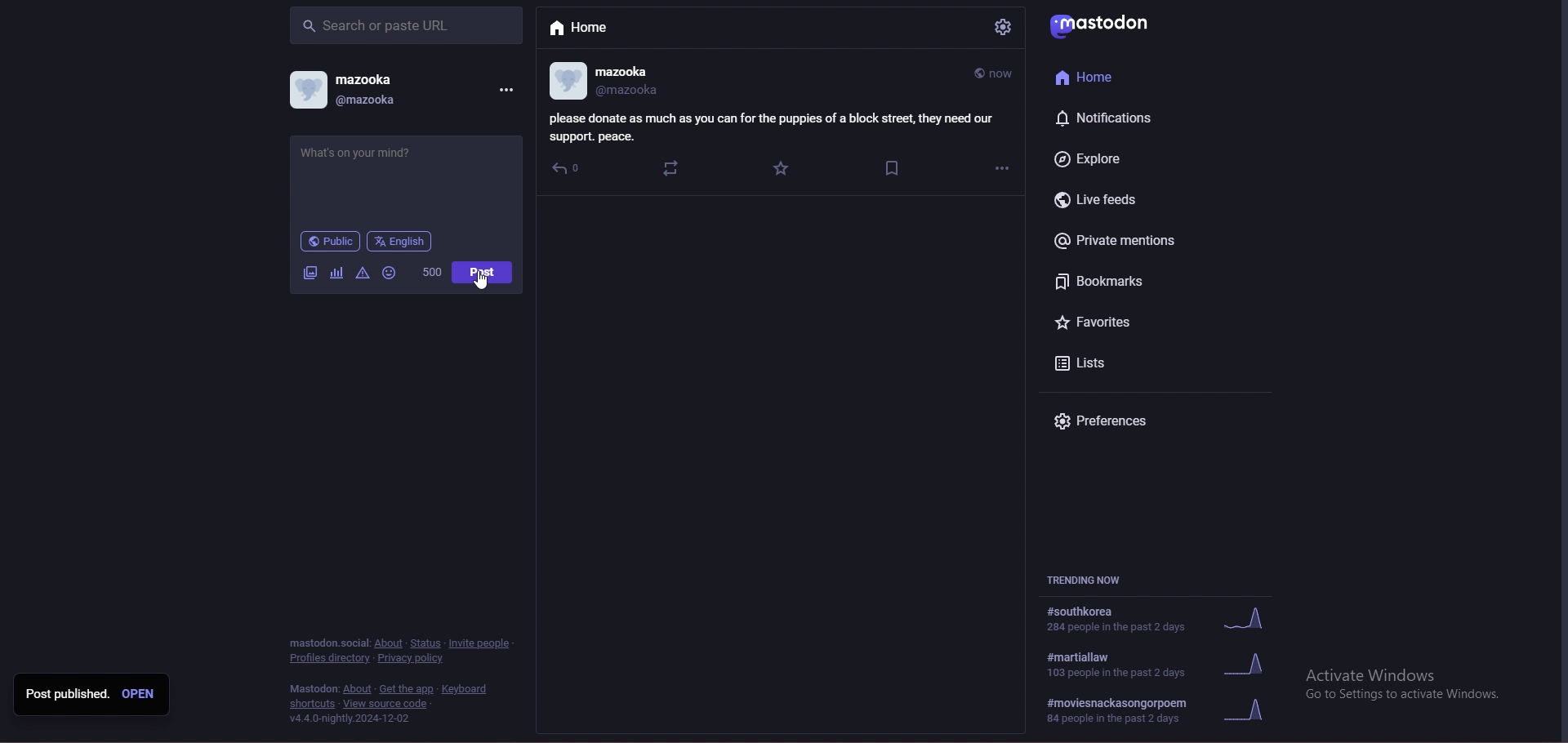 The width and height of the screenshot is (1568, 743). I want to click on about, so click(388, 643).